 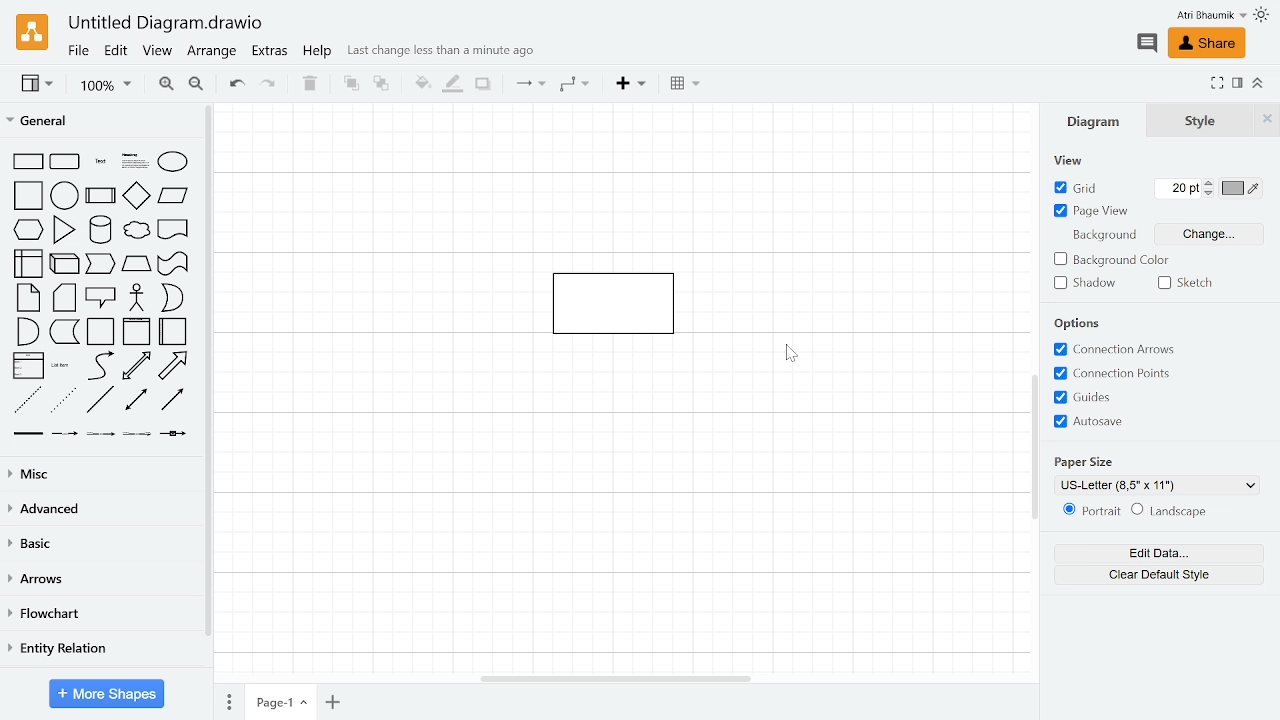 I want to click on Options, so click(x=1078, y=325).